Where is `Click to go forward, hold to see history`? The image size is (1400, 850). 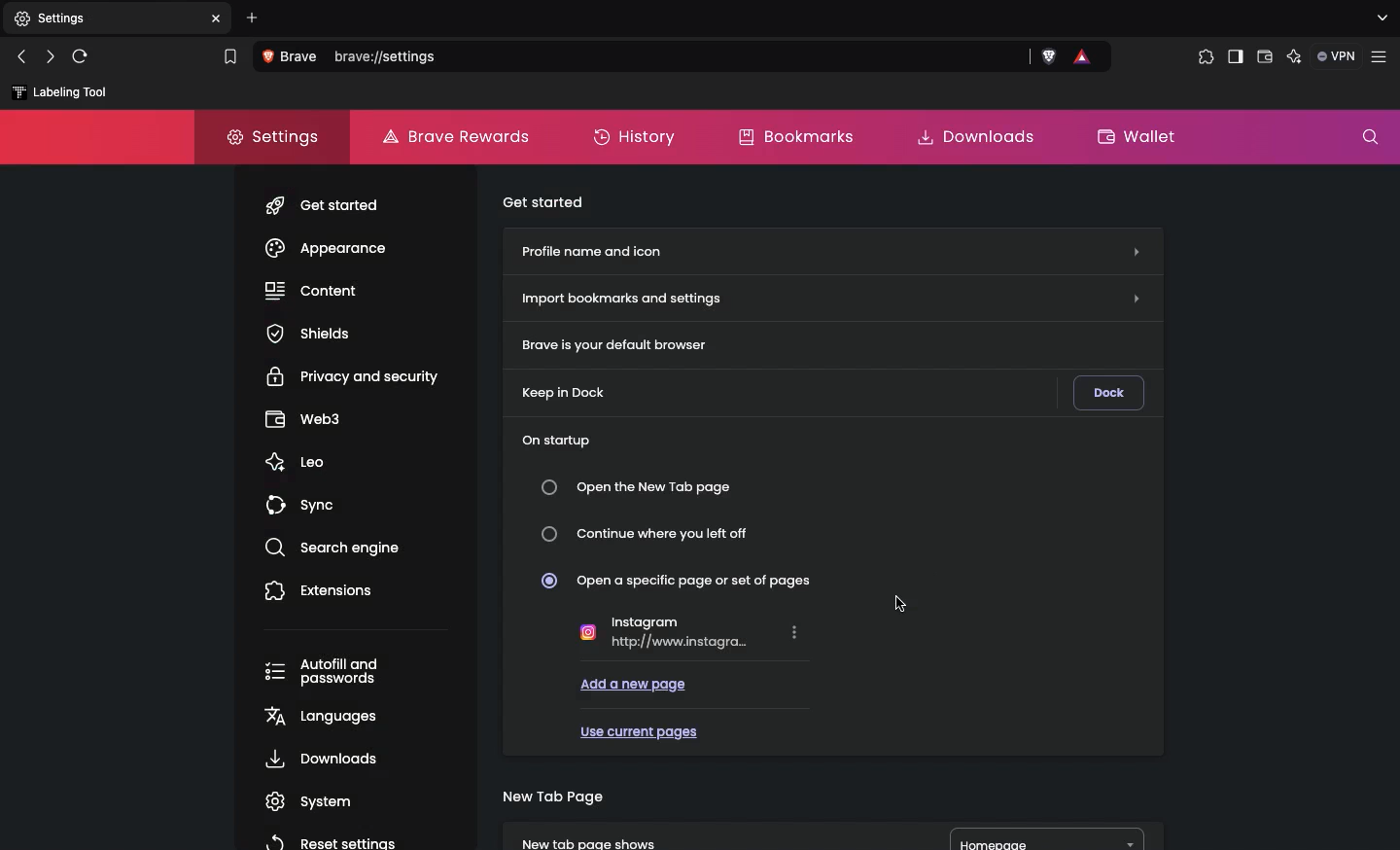
Click to go forward, hold to see history is located at coordinates (51, 55).